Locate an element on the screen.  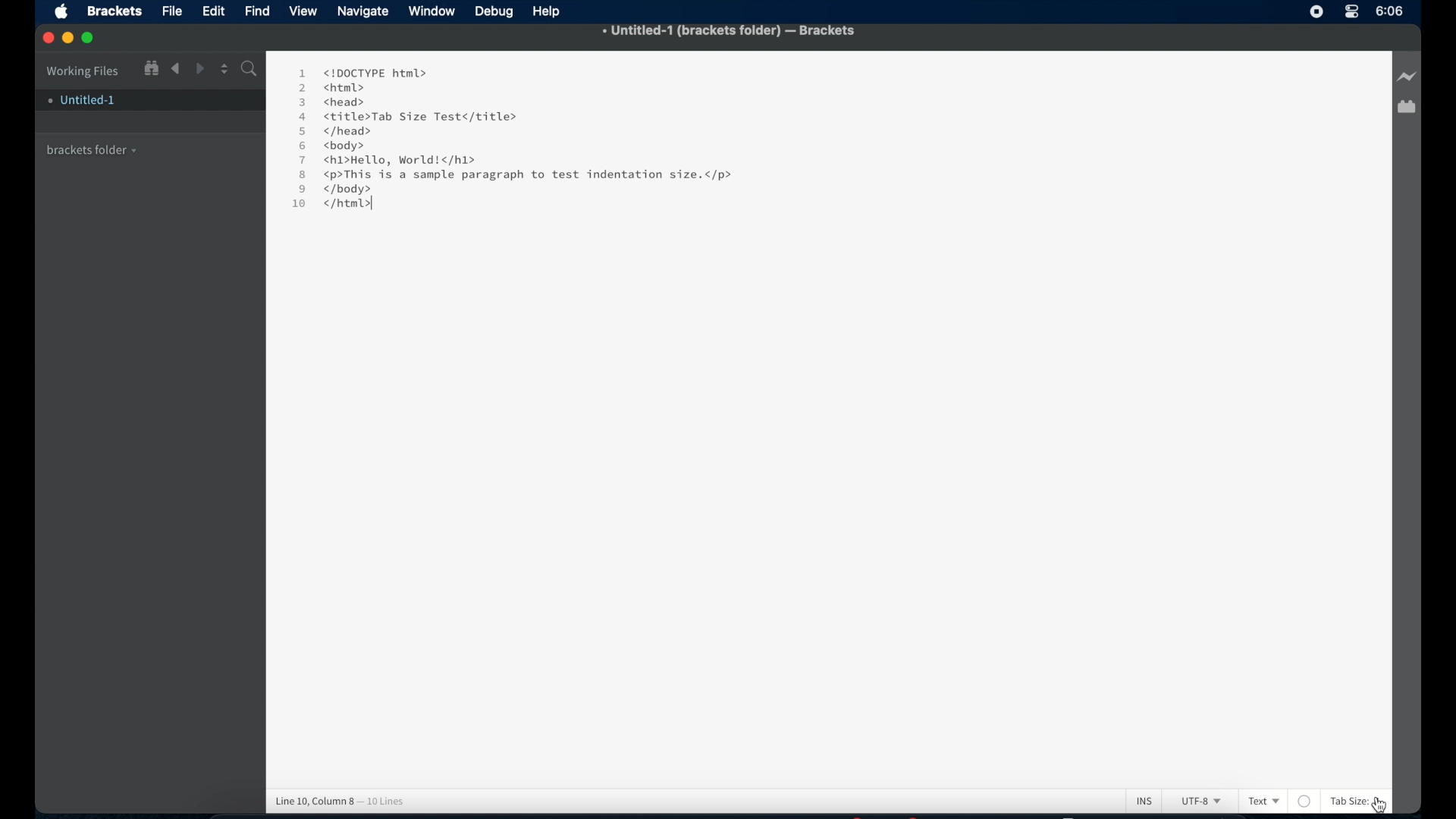
Stop is located at coordinates (1316, 11).